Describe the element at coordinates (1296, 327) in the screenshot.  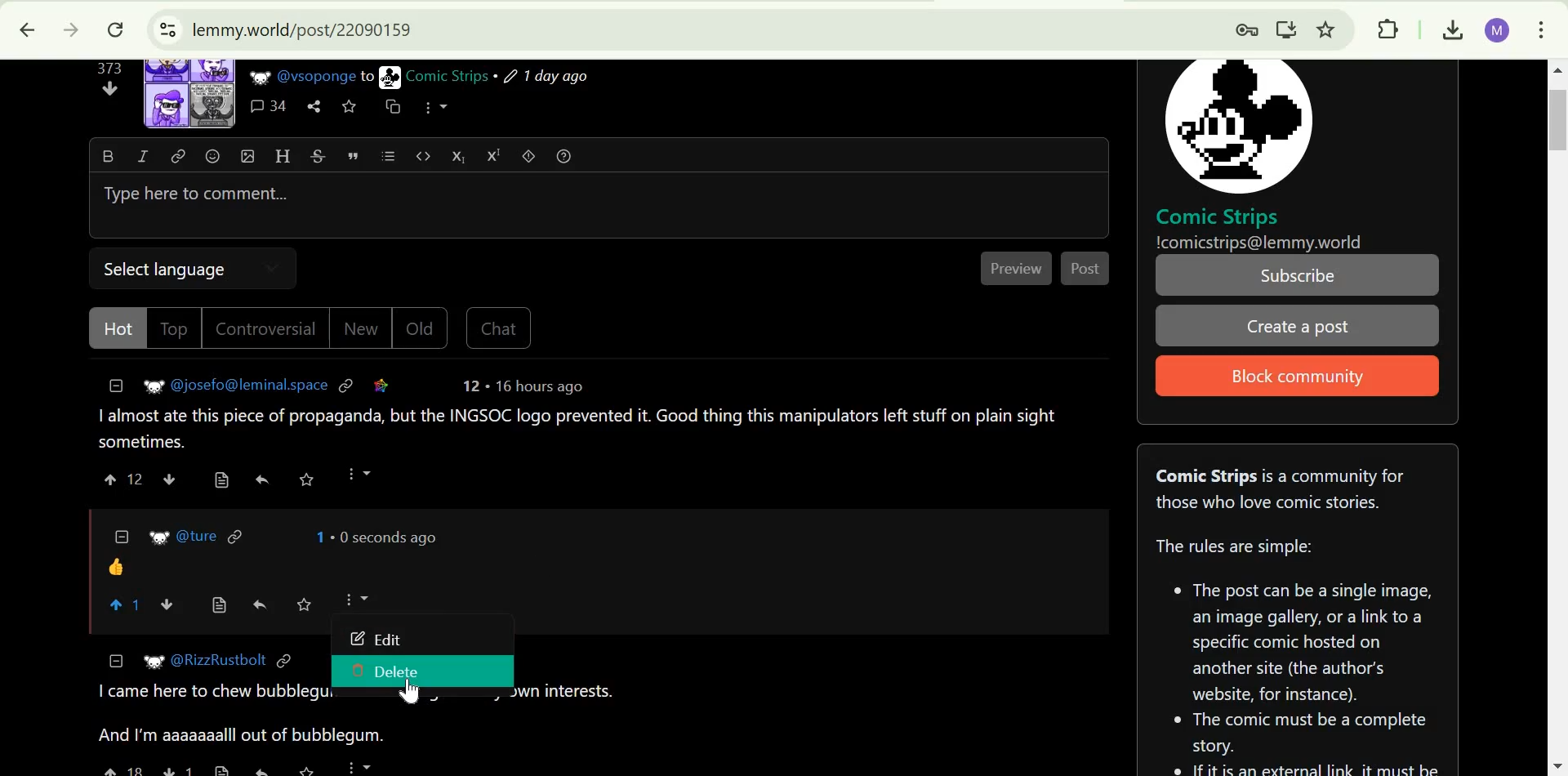
I see `create a post` at that location.